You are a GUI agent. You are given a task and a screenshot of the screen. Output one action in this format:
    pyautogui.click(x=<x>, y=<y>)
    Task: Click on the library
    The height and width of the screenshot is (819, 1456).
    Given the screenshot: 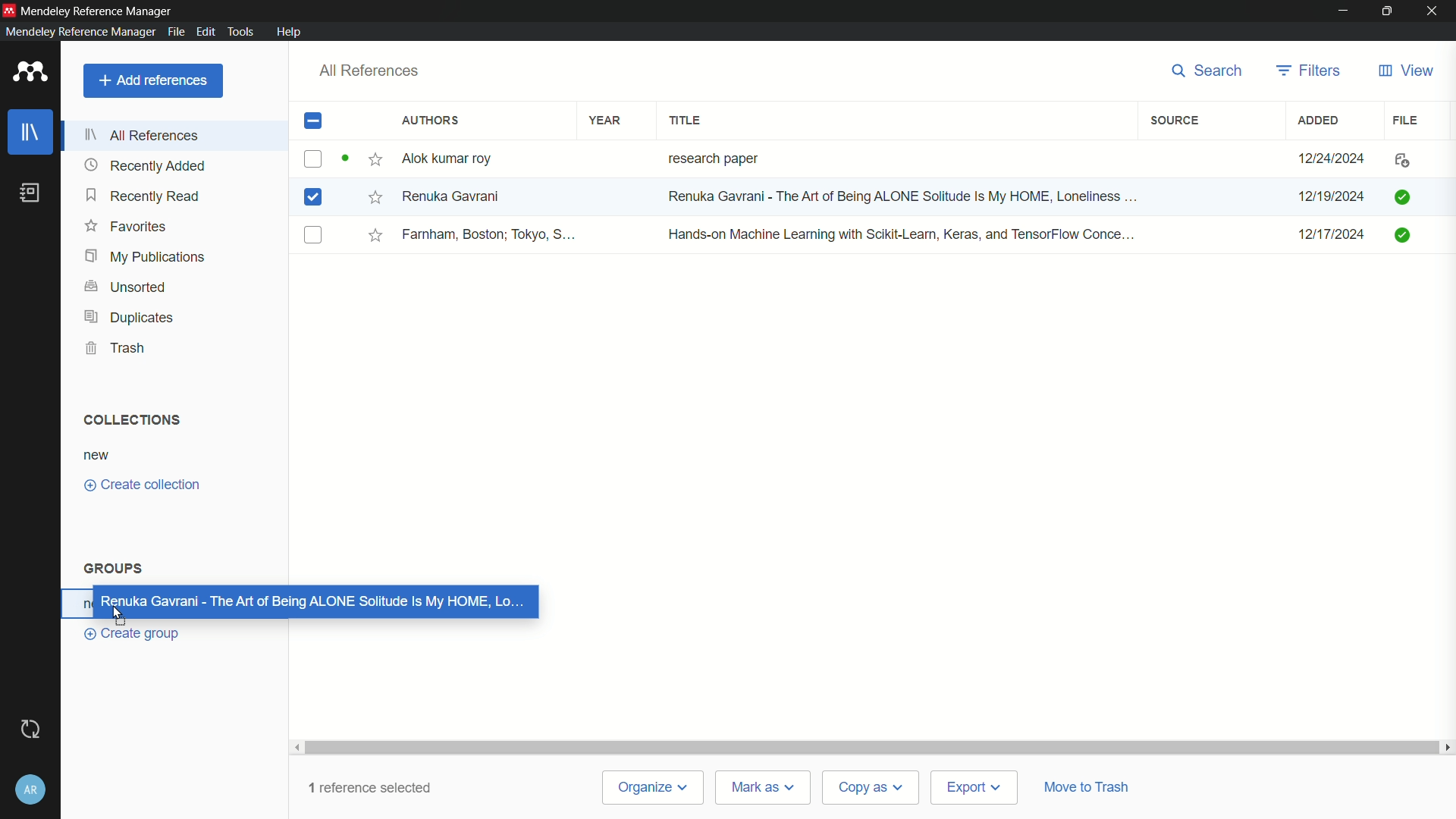 What is the action you would take?
    pyautogui.click(x=33, y=133)
    